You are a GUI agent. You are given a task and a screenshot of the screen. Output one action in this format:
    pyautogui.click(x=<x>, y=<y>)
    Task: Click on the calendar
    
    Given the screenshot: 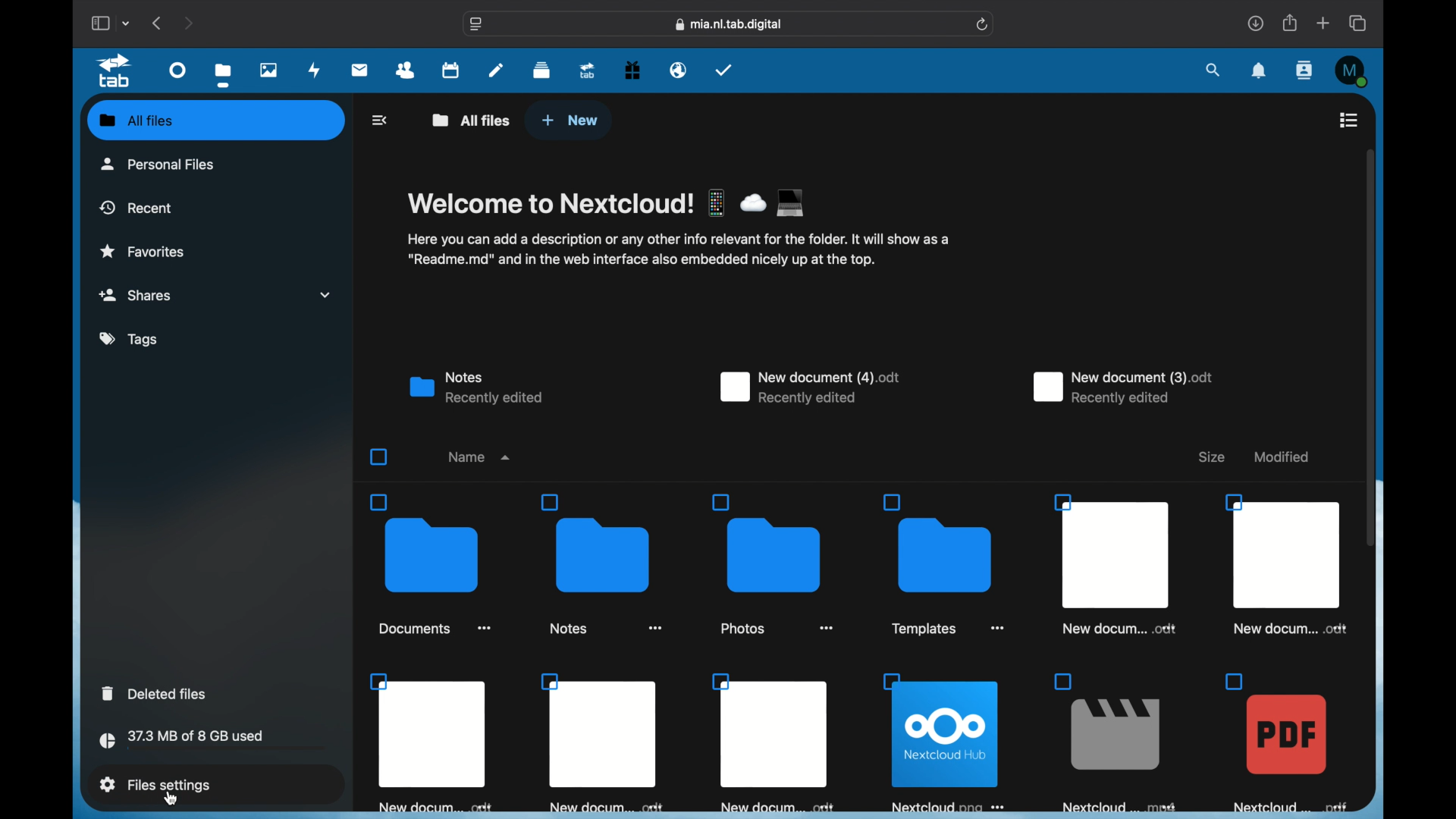 What is the action you would take?
    pyautogui.click(x=450, y=69)
    